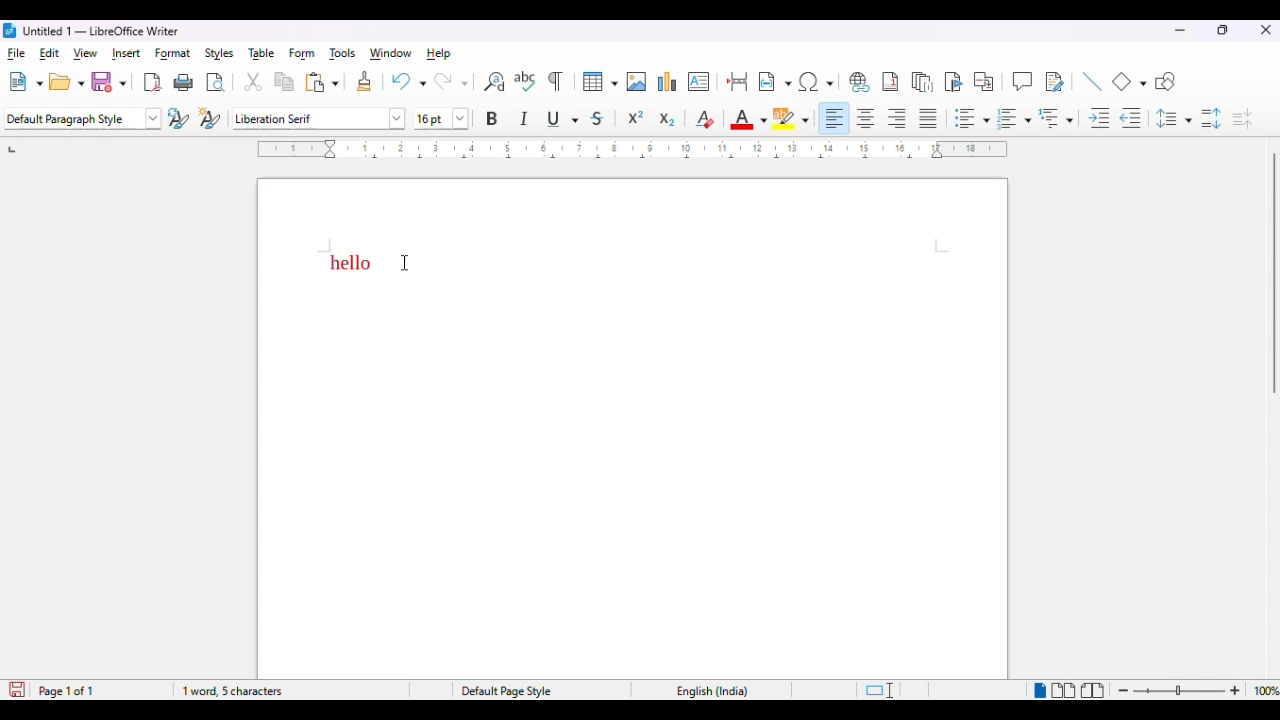 The height and width of the screenshot is (720, 1280). Describe the element at coordinates (50, 53) in the screenshot. I see `edit` at that location.